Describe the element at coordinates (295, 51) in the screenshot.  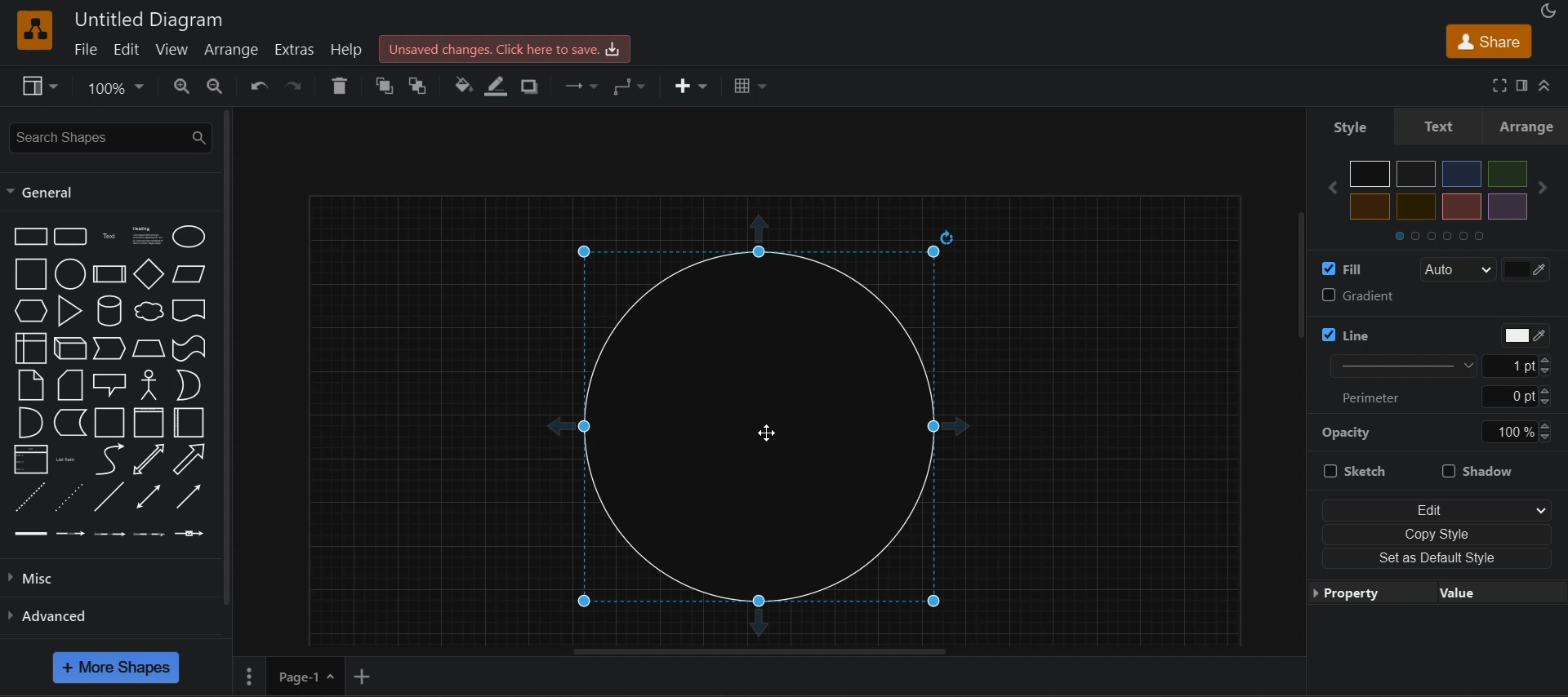
I see `extras` at that location.